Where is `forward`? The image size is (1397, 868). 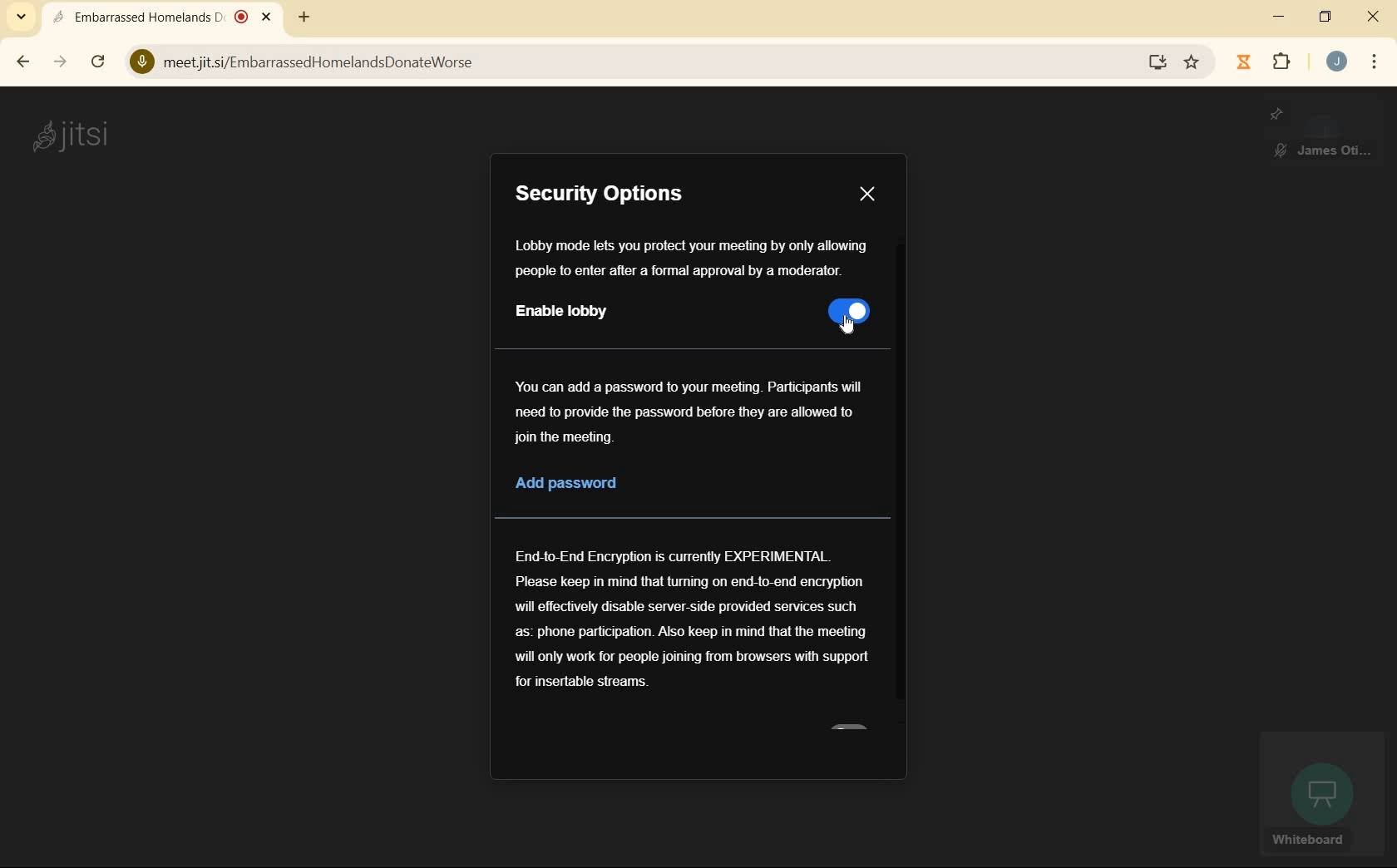
forward is located at coordinates (60, 62).